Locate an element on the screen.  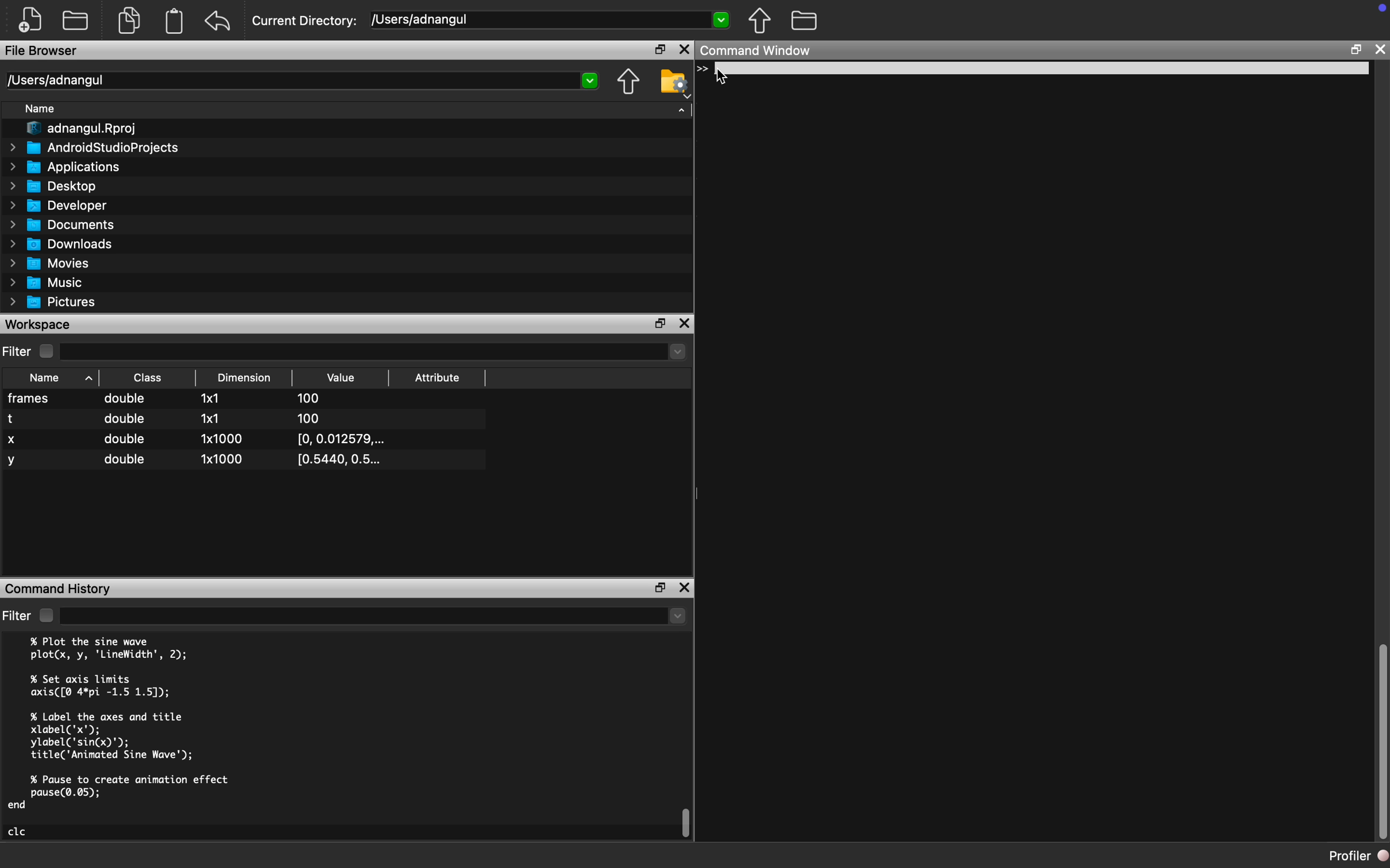
Typing indicator is located at coordinates (707, 72).